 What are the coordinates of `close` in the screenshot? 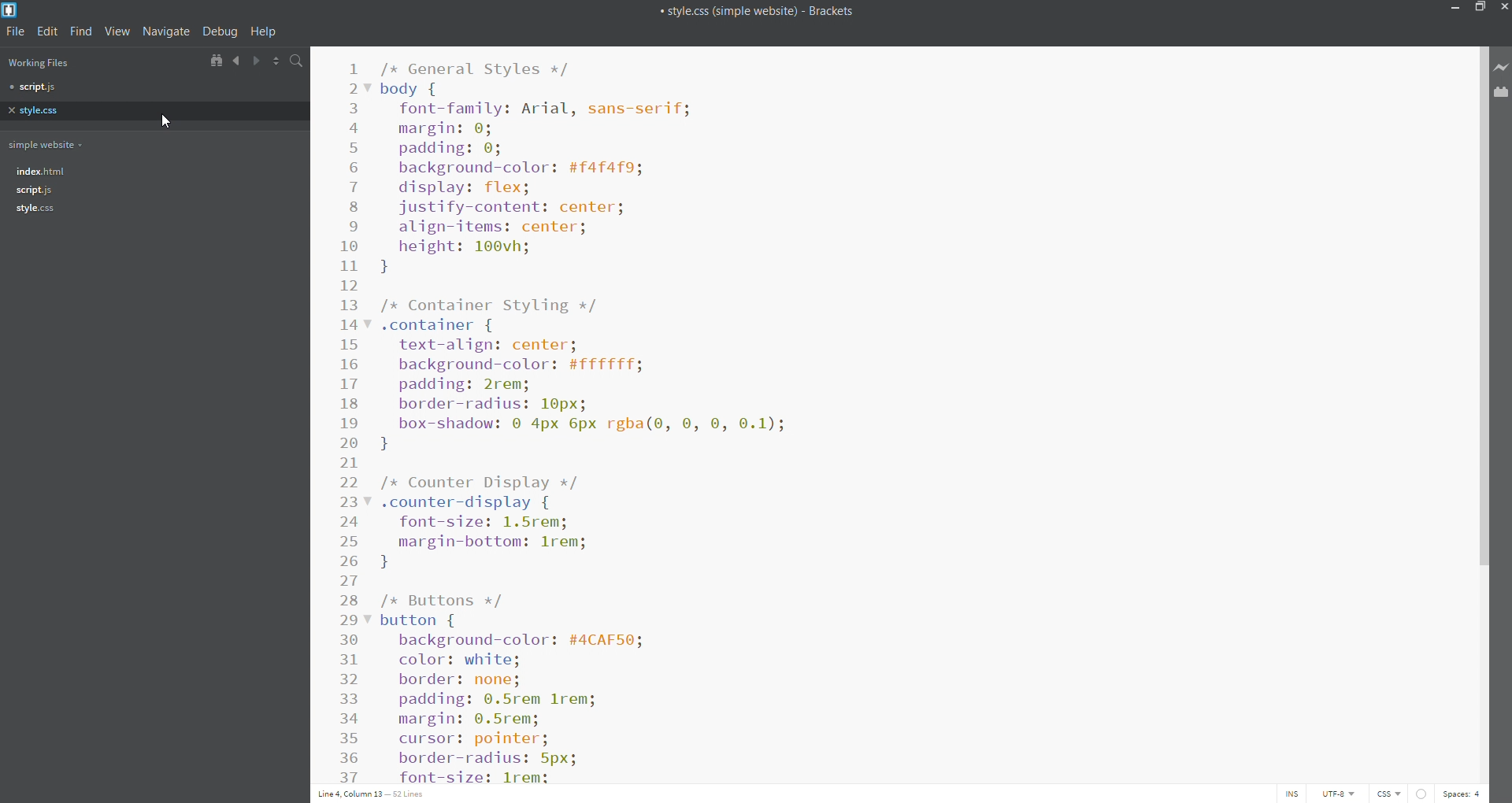 It's located at (1503, 9).